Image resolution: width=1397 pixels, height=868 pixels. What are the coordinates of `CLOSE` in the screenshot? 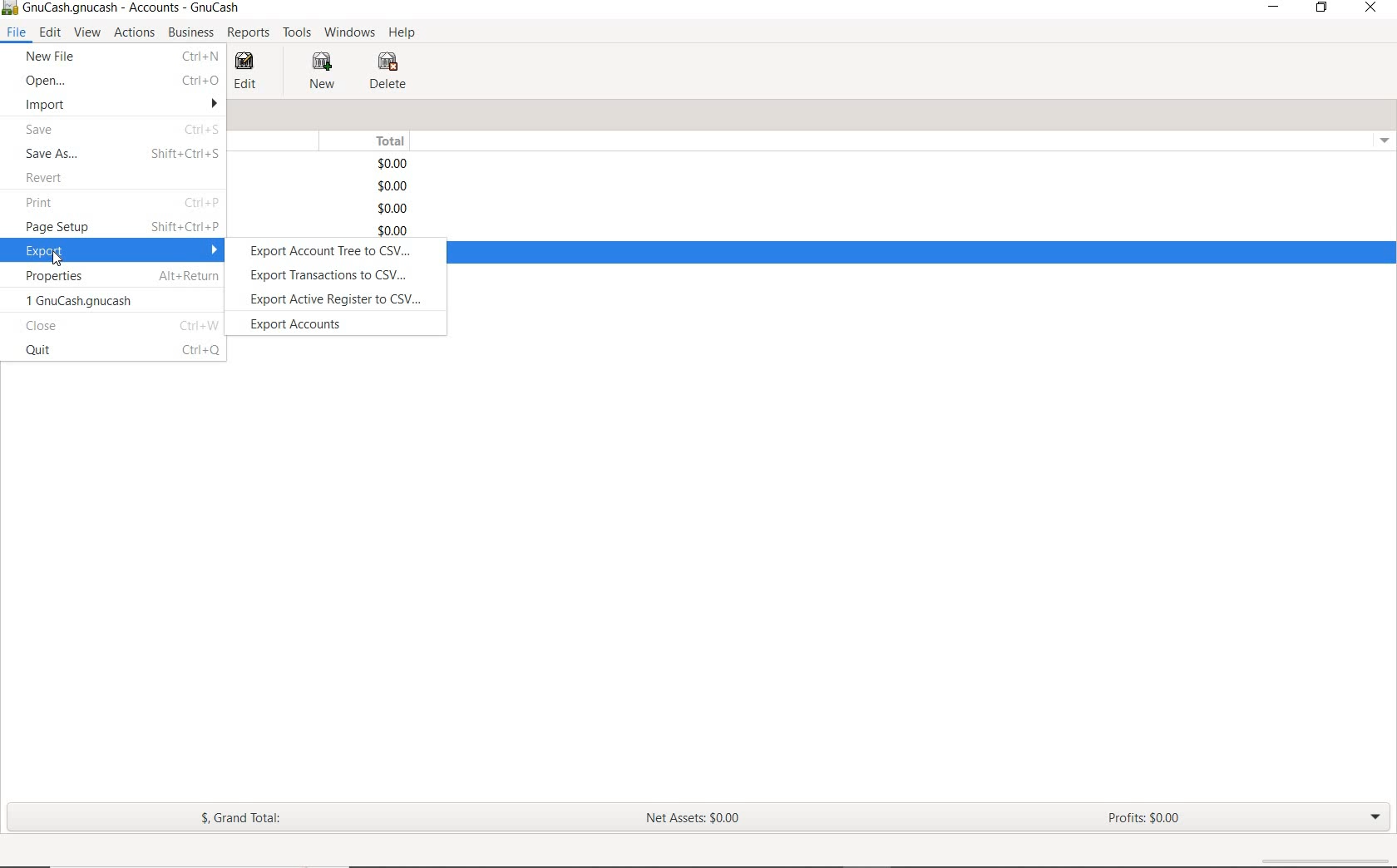 It's located at (1371, 8).